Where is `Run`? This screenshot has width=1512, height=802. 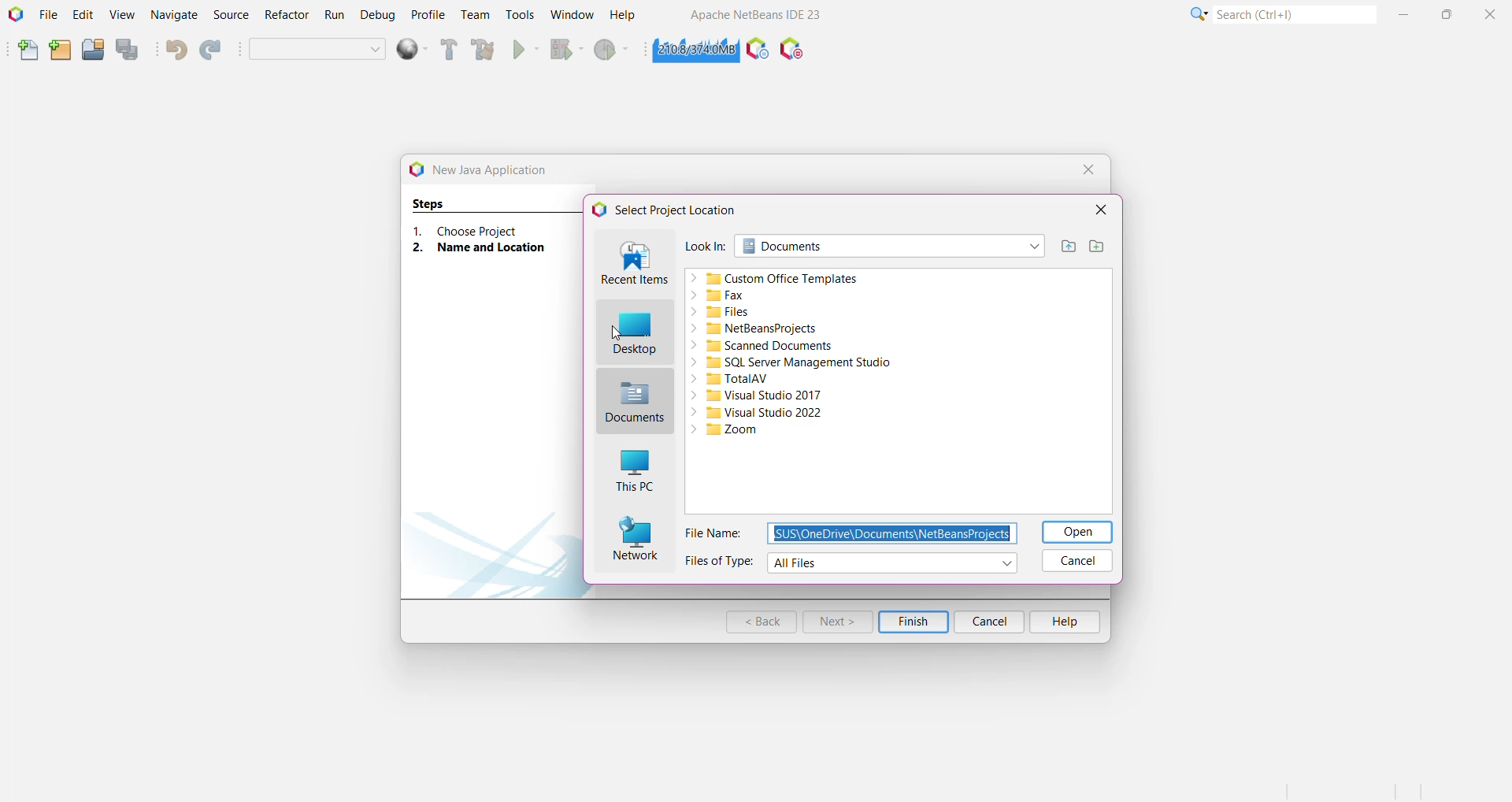 Run is located at coordinates (335, 16).